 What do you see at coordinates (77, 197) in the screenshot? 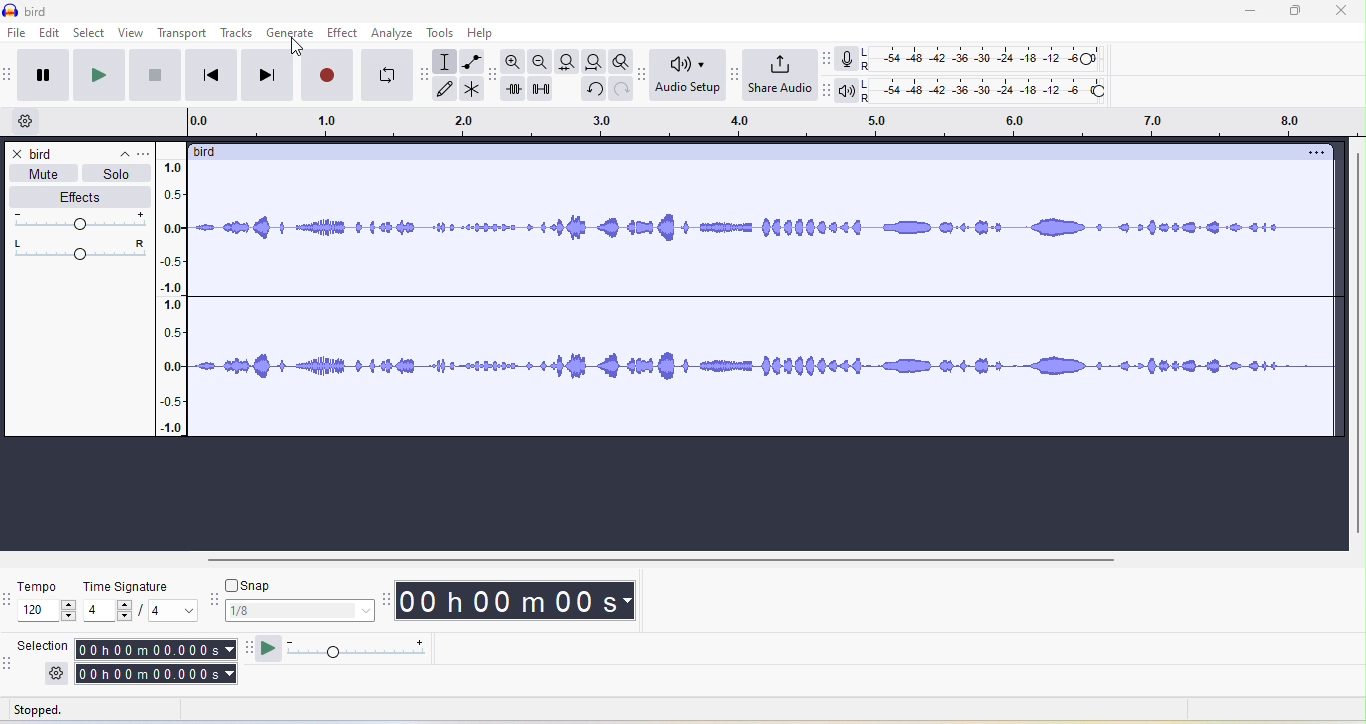
I see `effect` at bounding box center [77, 197].